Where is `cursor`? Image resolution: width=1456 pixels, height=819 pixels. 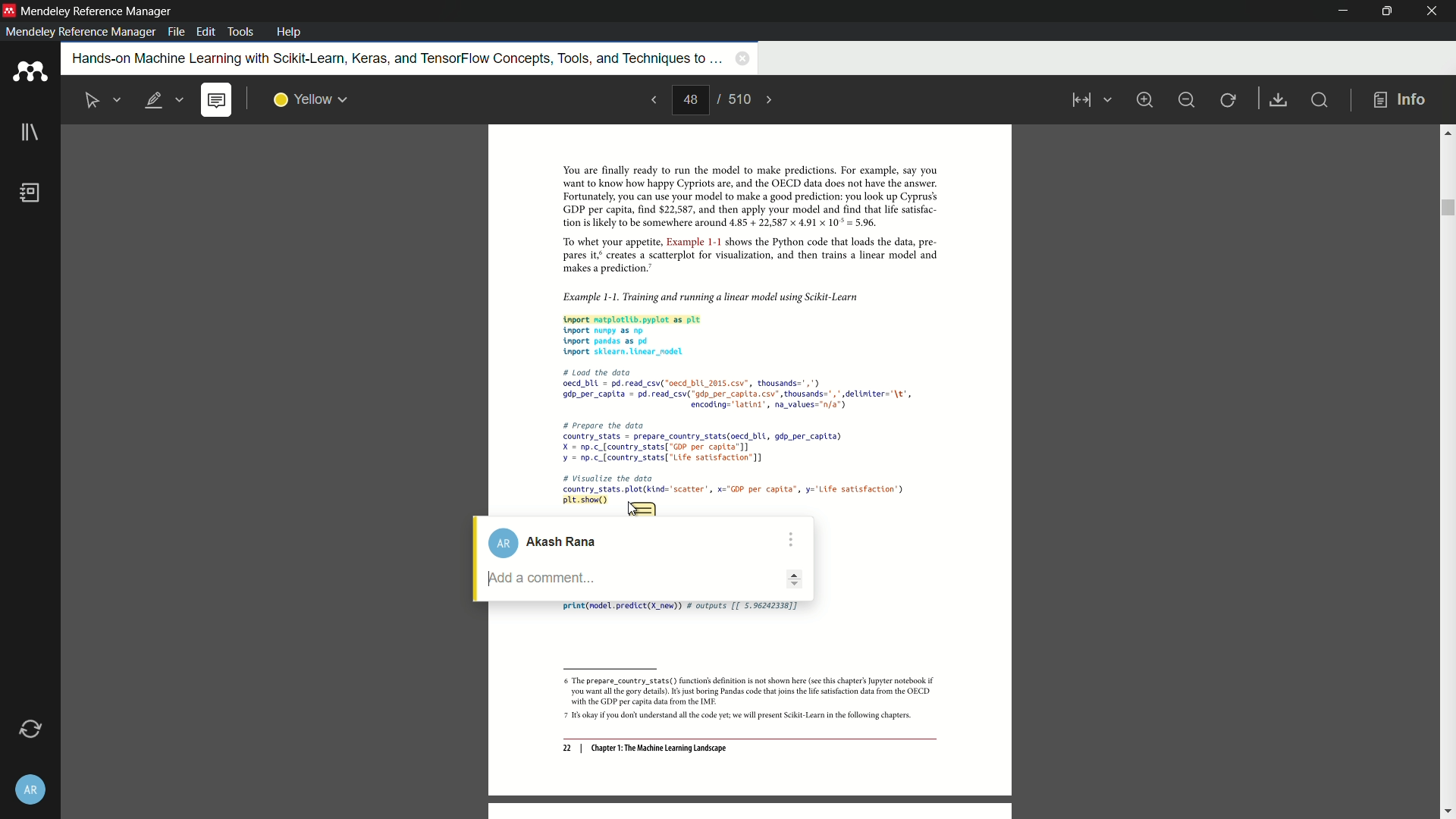
cursor is located at coordinates (632, 506).